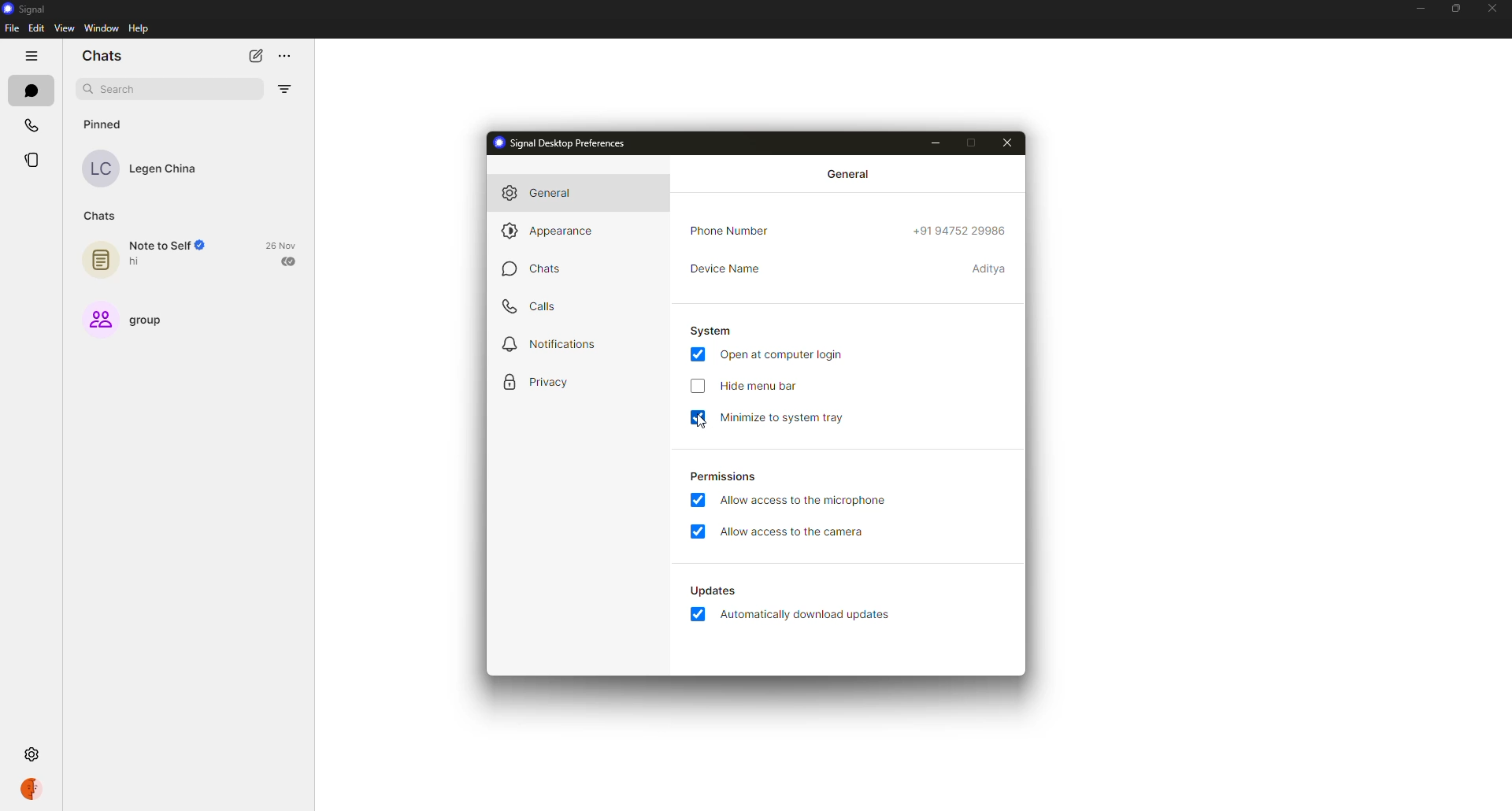  What do you see at coordinates (695, 417) in the screenshot?
I see `enabled` at bounding box center [695, 417].